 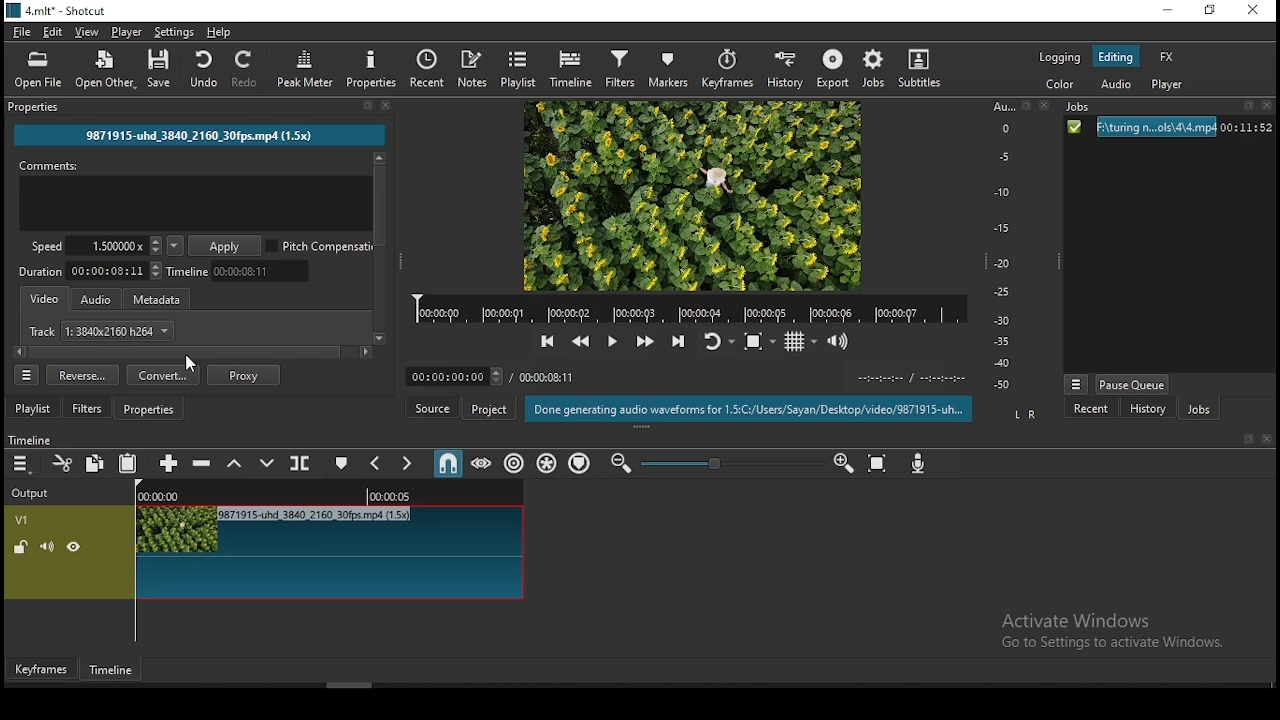 I want to click on scroll bar, so click(x=193, y=351).